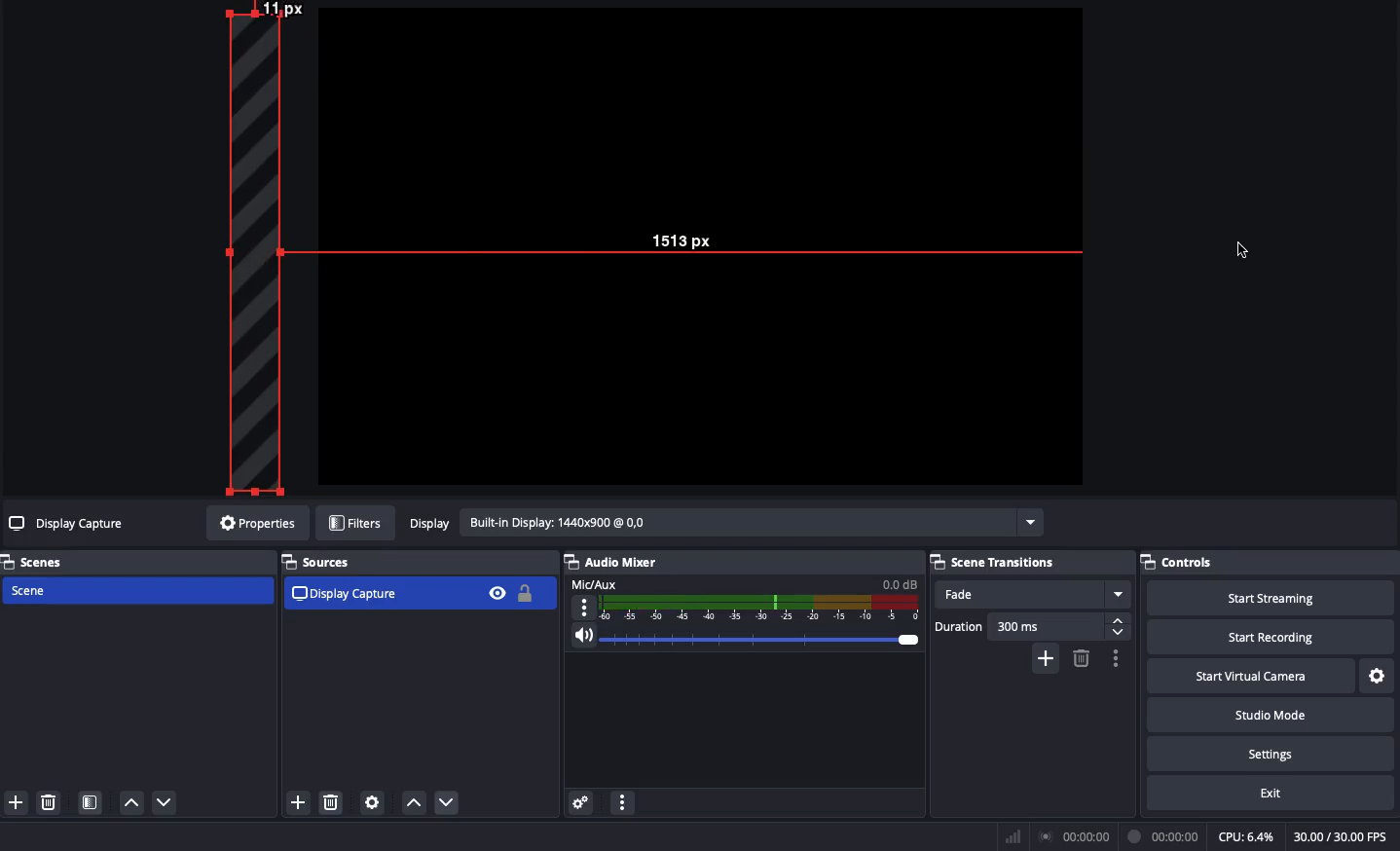  I want to click on Delete, so click(47, 802).